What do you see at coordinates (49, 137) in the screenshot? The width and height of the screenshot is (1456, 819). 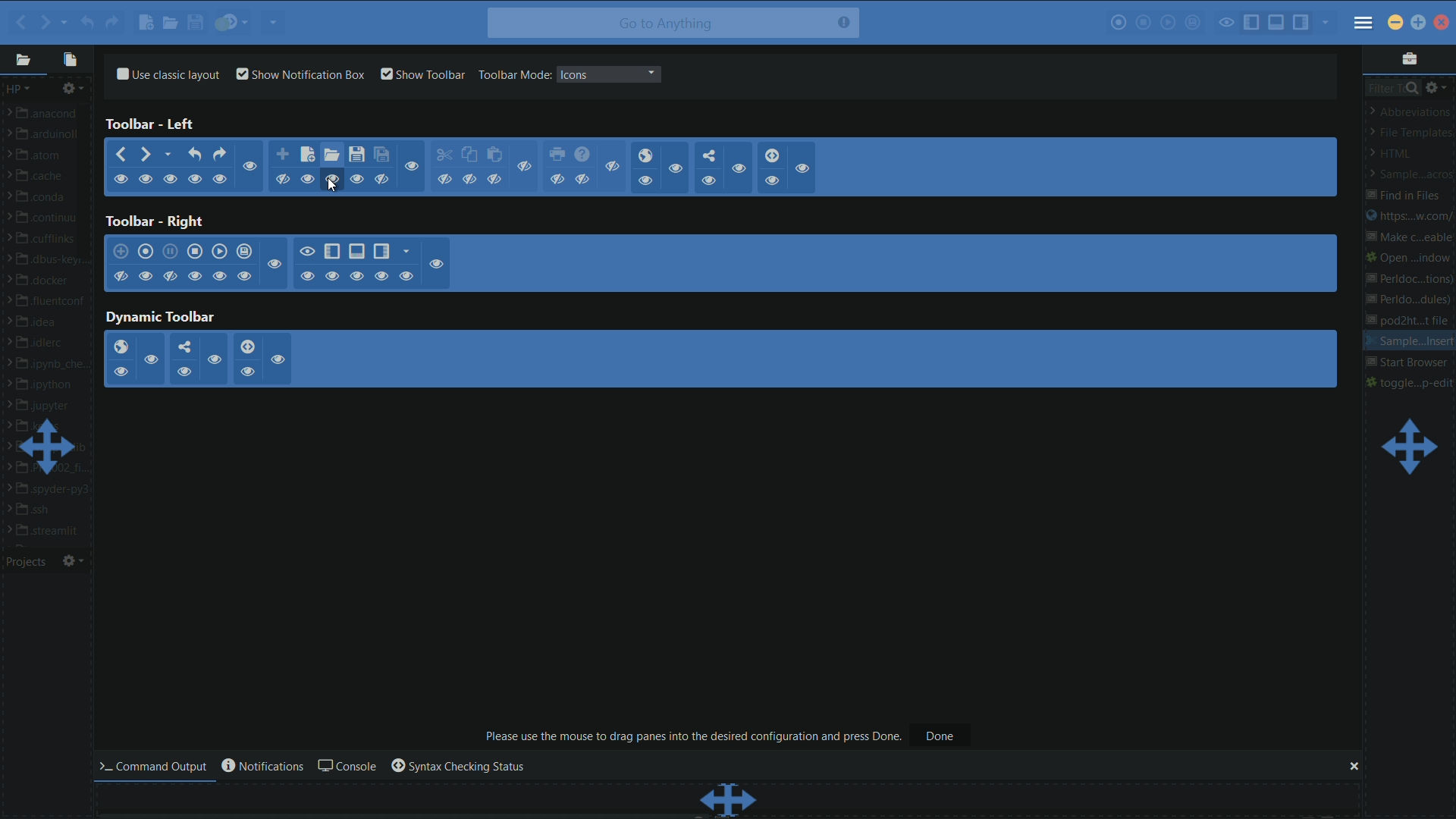 I see `.arduinoll` at bounding box center [49, 137].